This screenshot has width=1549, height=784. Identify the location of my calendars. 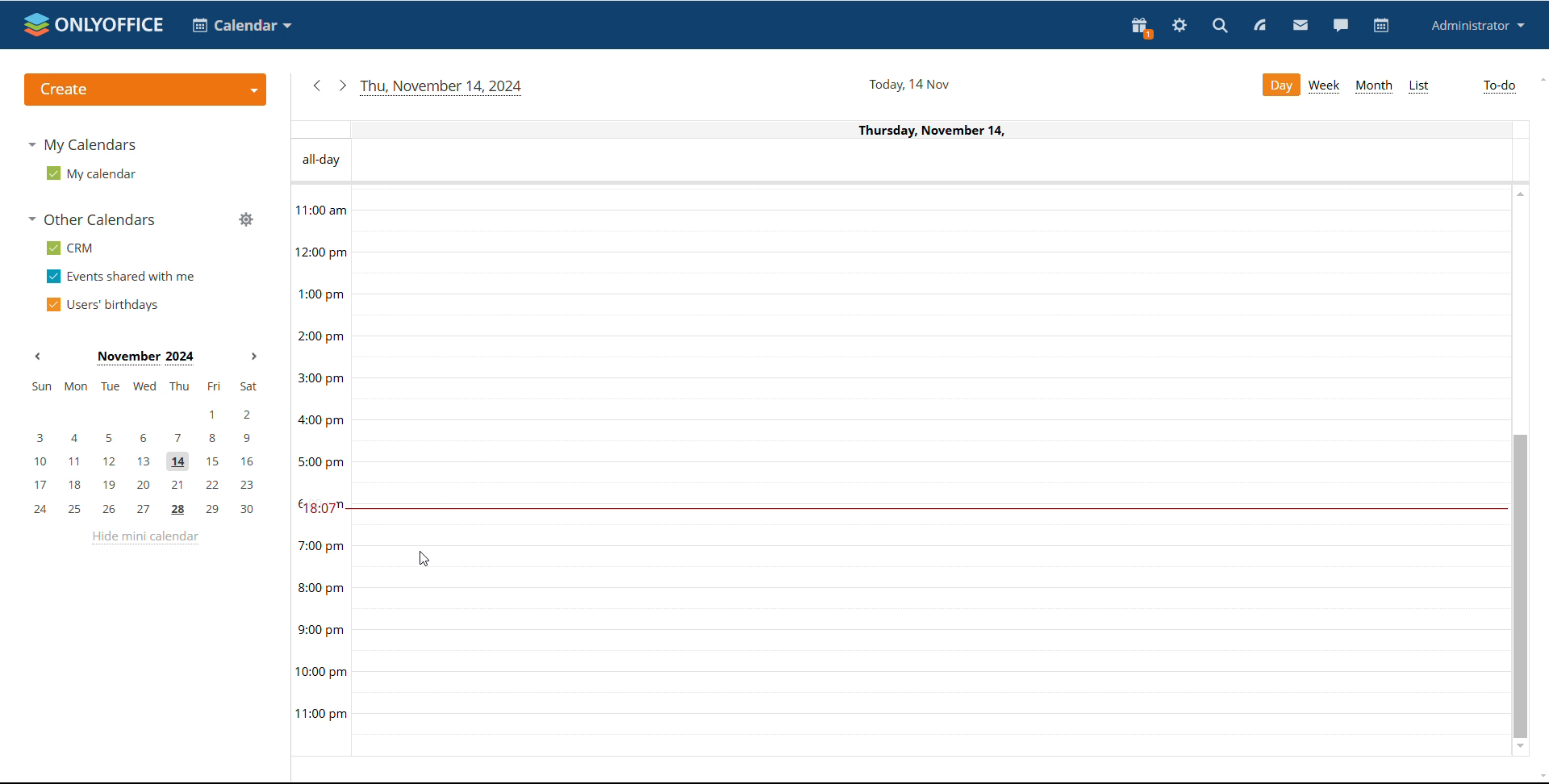
(82, 144).